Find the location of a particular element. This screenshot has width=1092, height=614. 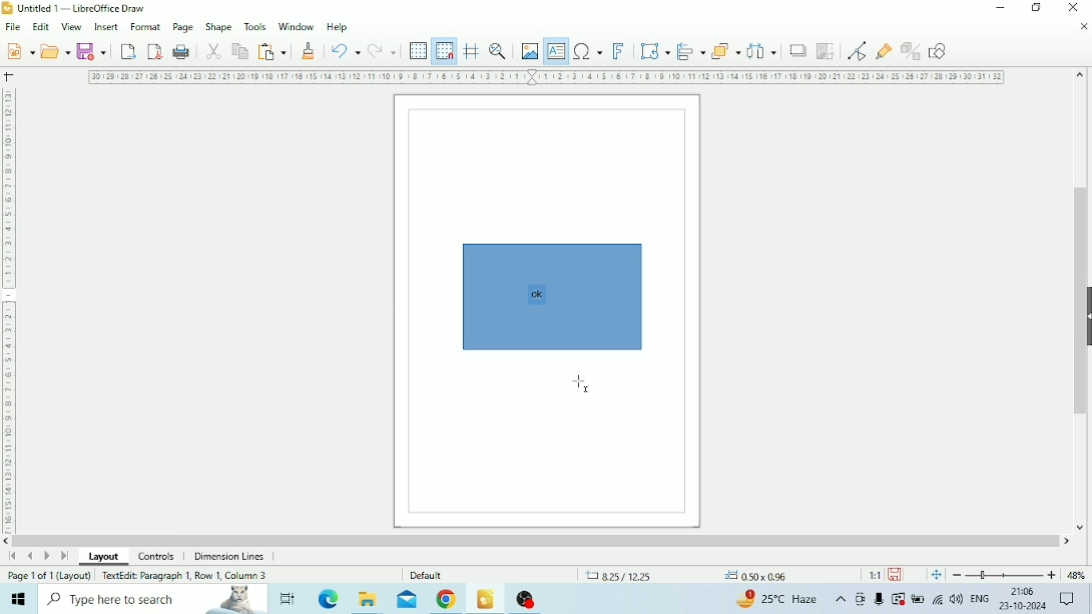

Show is located at coordinates (1085, 314).